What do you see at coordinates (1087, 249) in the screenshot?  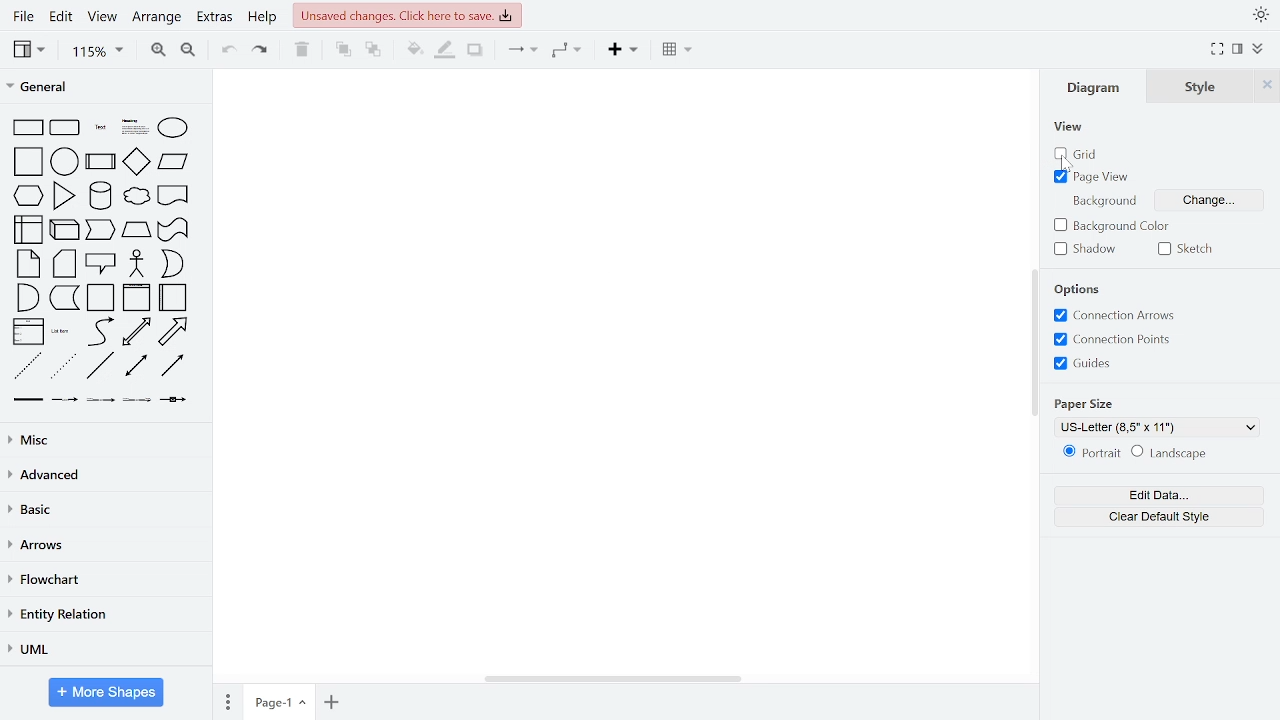 I see `shadow` at bounding box center [1087, 249].